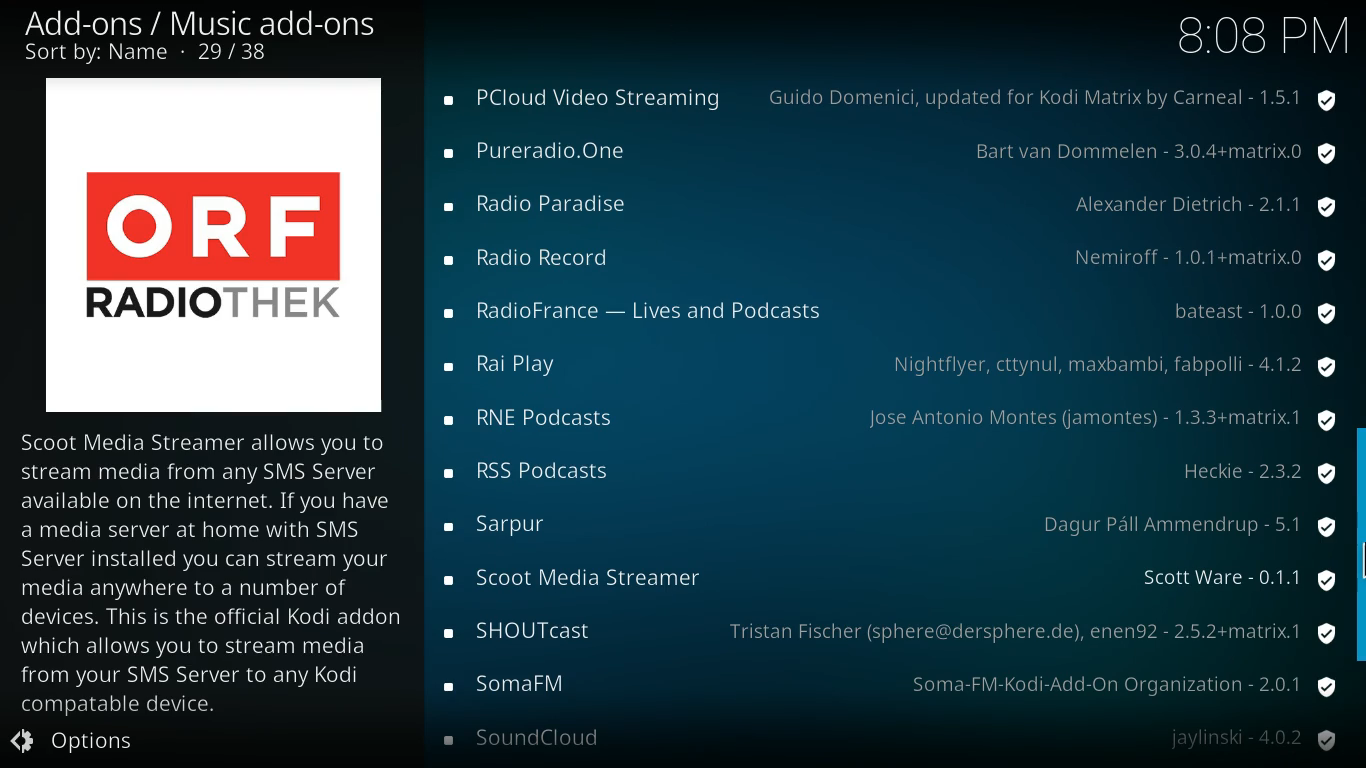 The height and width of the screenshot is (768, 1366). What do you see at coordinates (544, 420) in the screenshot?
I see `add-on` at bounding box center [544, 420].